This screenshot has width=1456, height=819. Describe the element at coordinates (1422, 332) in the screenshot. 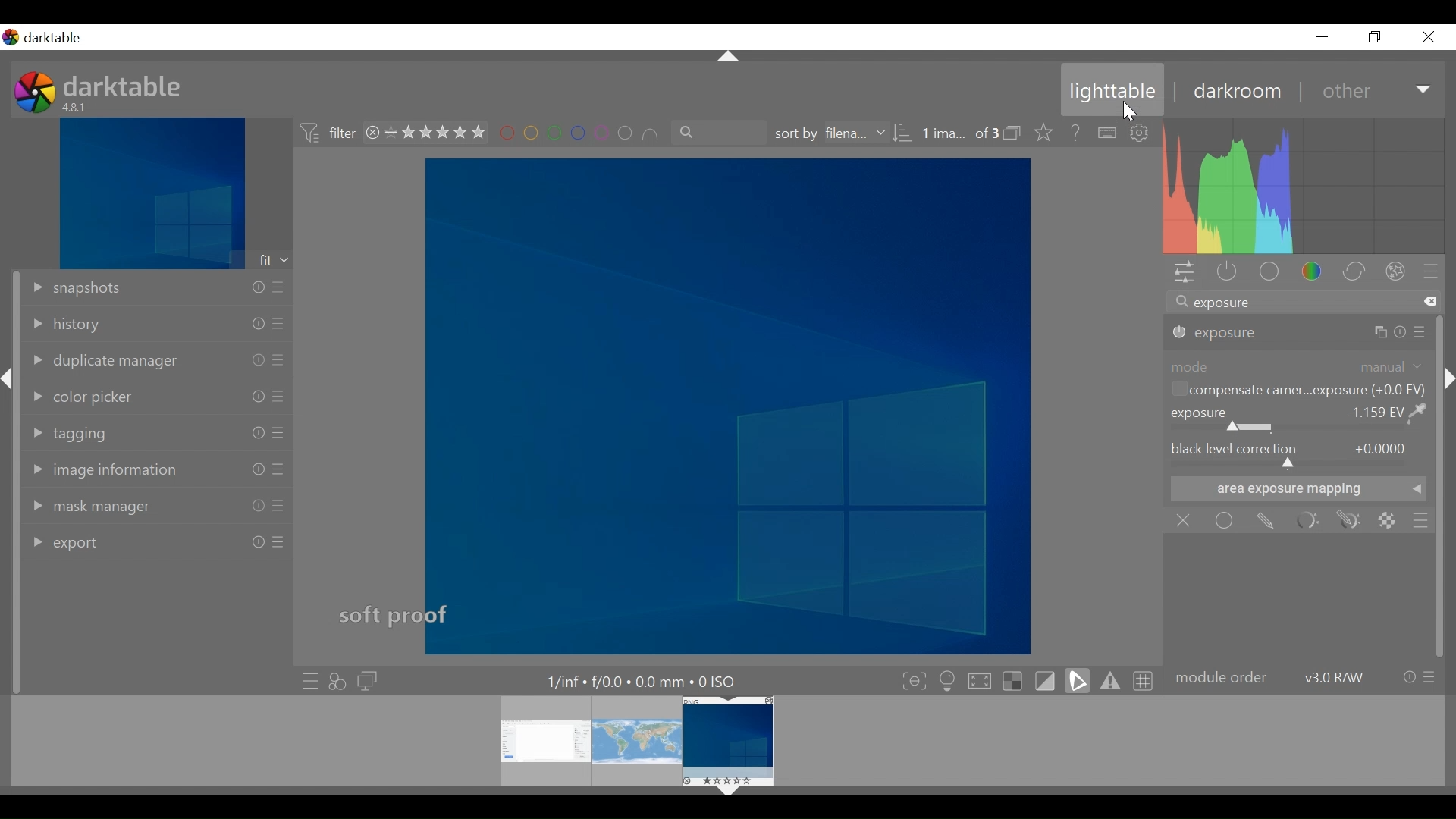

I see `presets` at that location.